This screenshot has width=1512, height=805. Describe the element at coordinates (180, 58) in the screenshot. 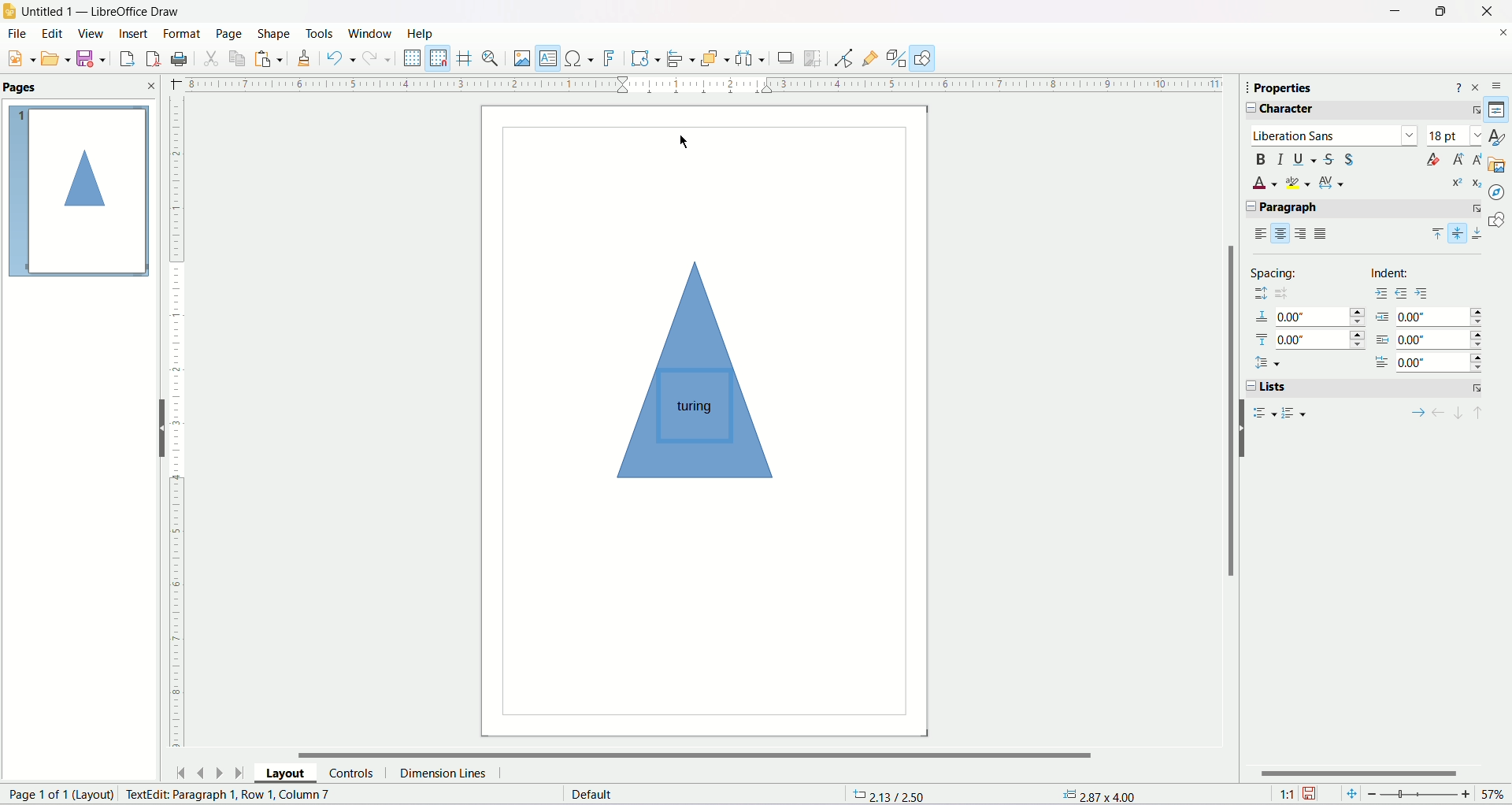

I see `Print` at that location.